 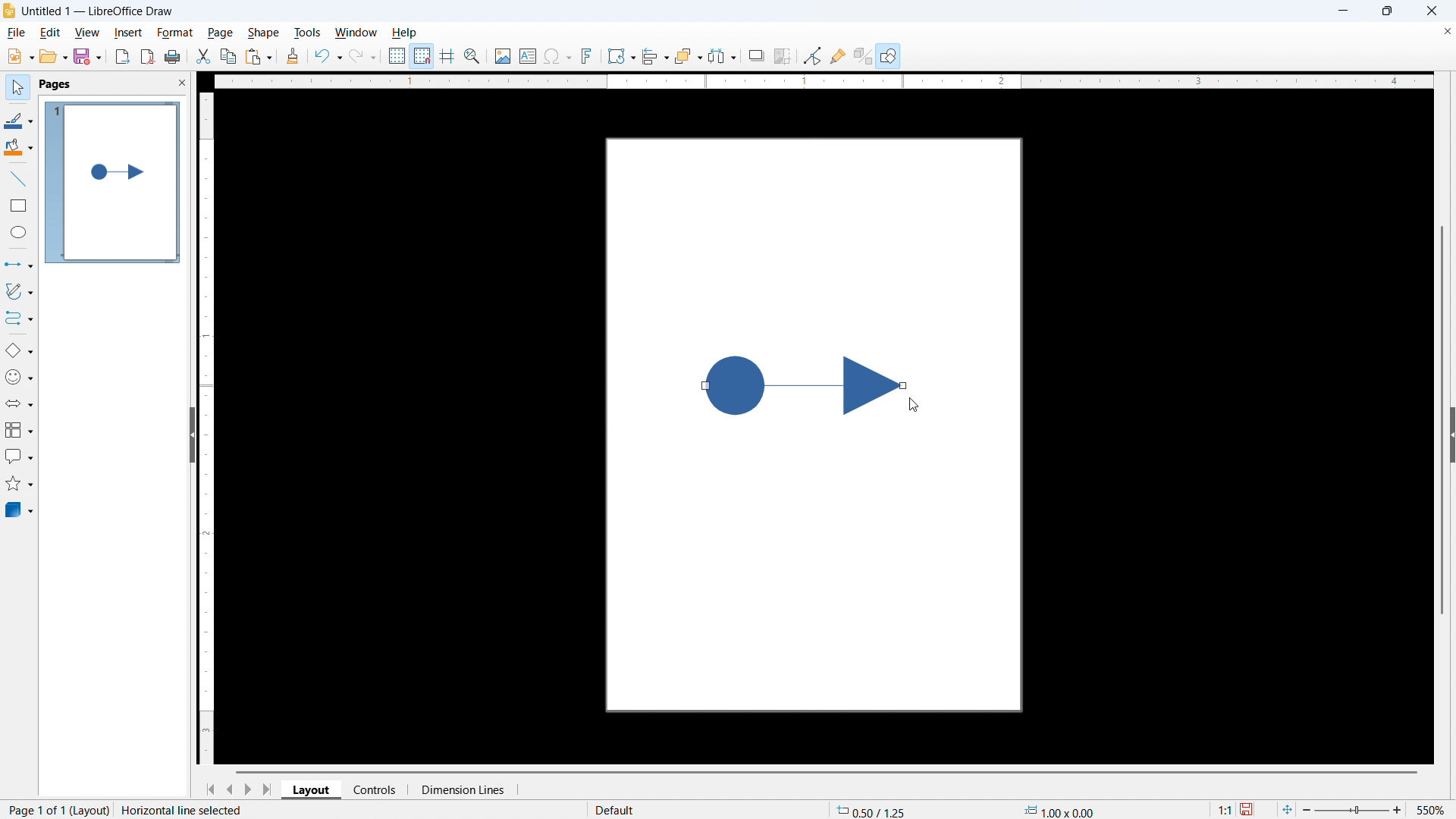 What do you see at coordinates (20, 57) in the screenshot?
I see `New ` at bounding box center [20, 57].